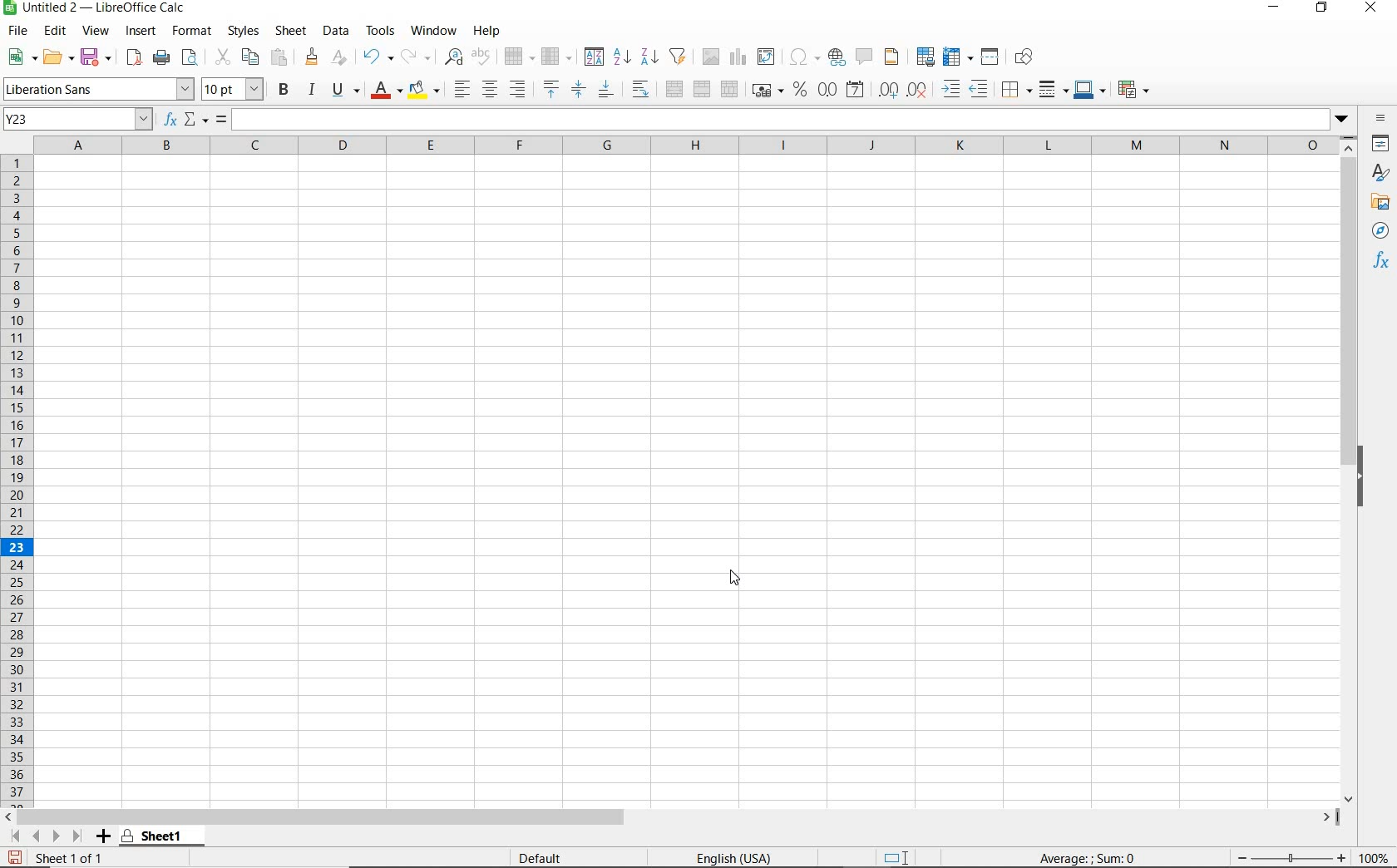 The height and width of the screenshot is (868, 1397). What do you see at coordinates (682, 813) in the screenshot?
I see `horizontal scroll bar` at bounding box center [682, 813].